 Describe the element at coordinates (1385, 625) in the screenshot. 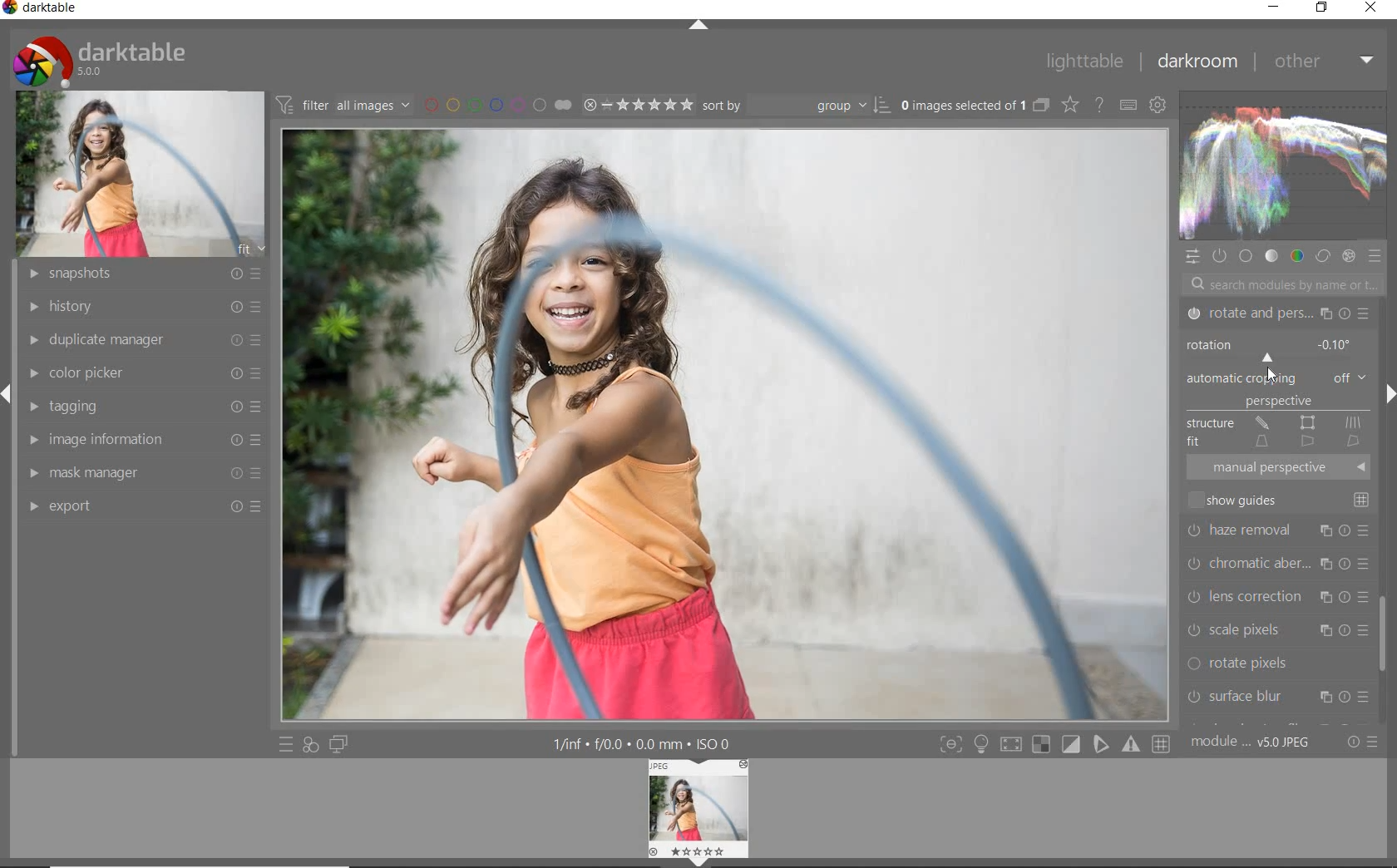

I see `scrollbar` at that location.